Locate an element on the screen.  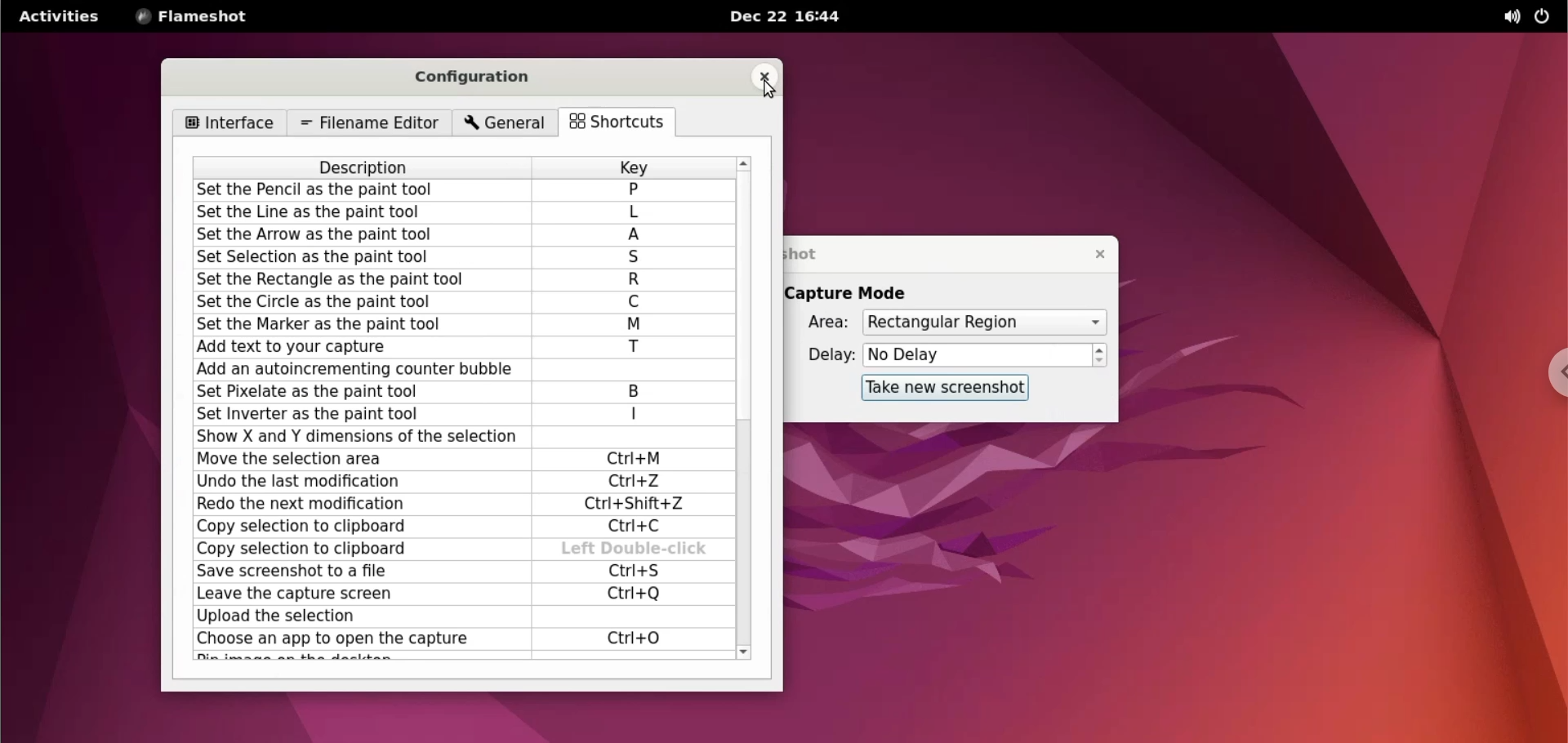
Ctrl + Shift + Z is located at coordinates (641, 505).